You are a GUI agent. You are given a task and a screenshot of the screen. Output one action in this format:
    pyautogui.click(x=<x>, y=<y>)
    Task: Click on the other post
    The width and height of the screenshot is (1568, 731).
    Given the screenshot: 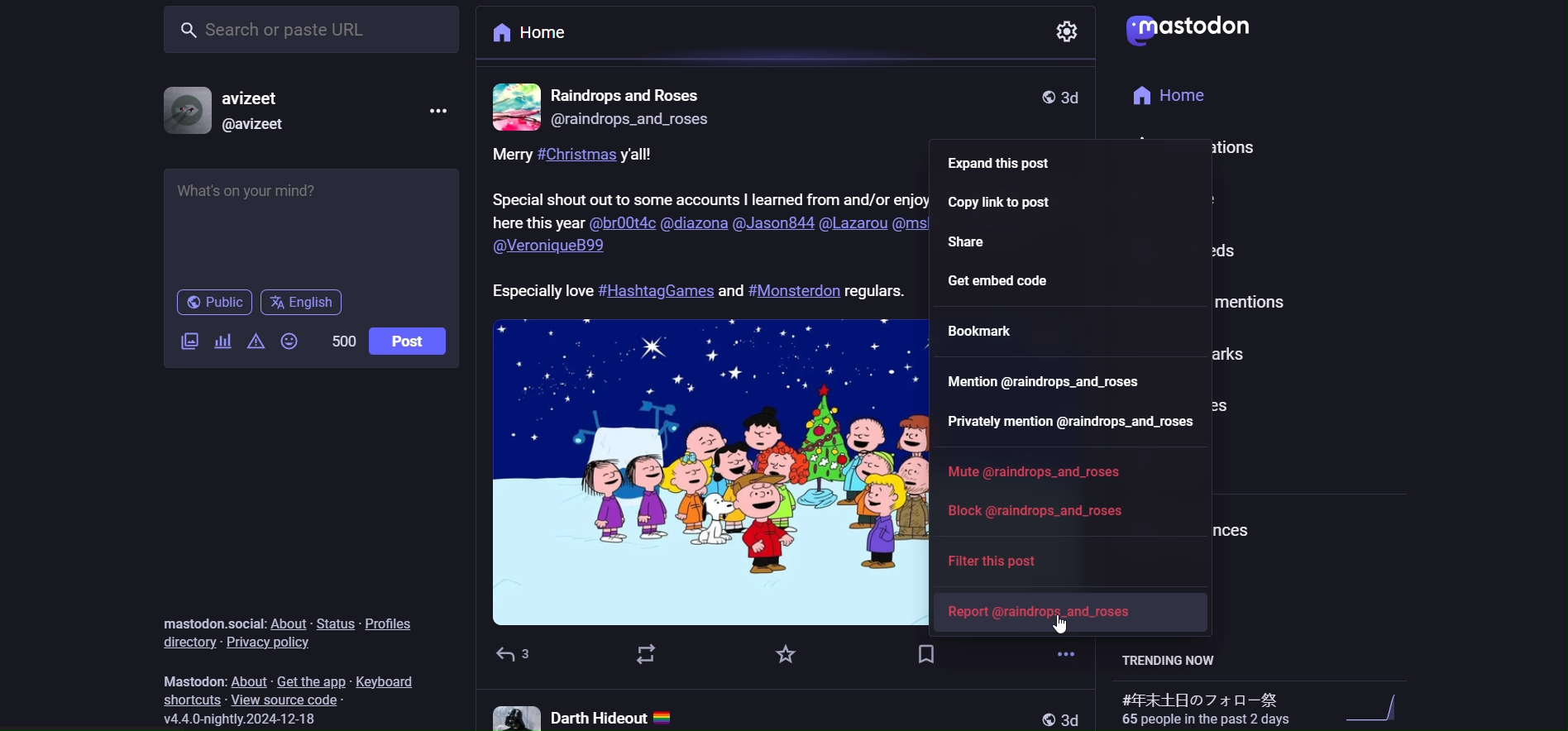 What is the action you would take?
    pyautogui.click(x=784, y=710)
    